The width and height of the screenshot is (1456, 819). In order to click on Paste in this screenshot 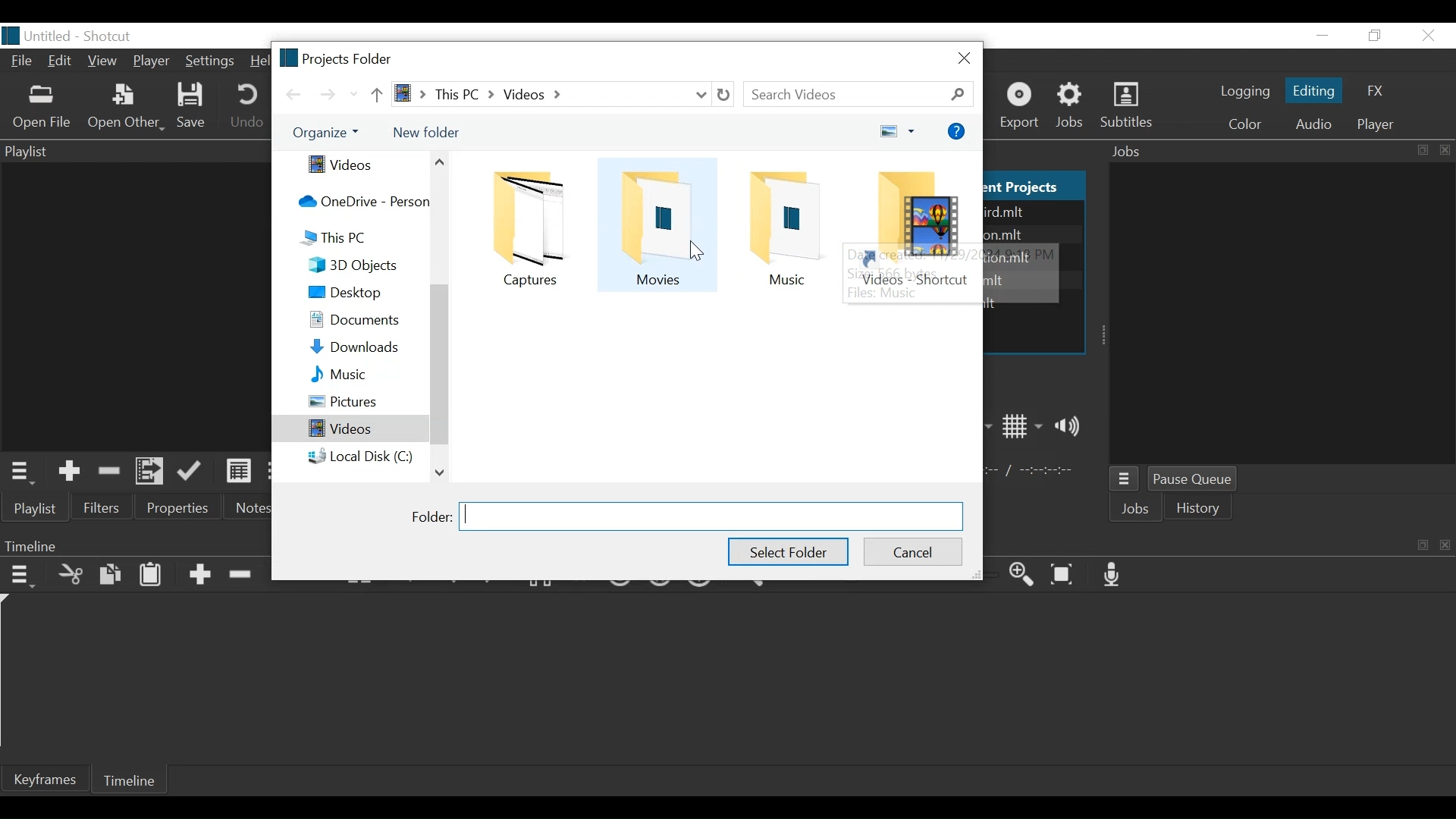, I will do `click(151, 574)`.